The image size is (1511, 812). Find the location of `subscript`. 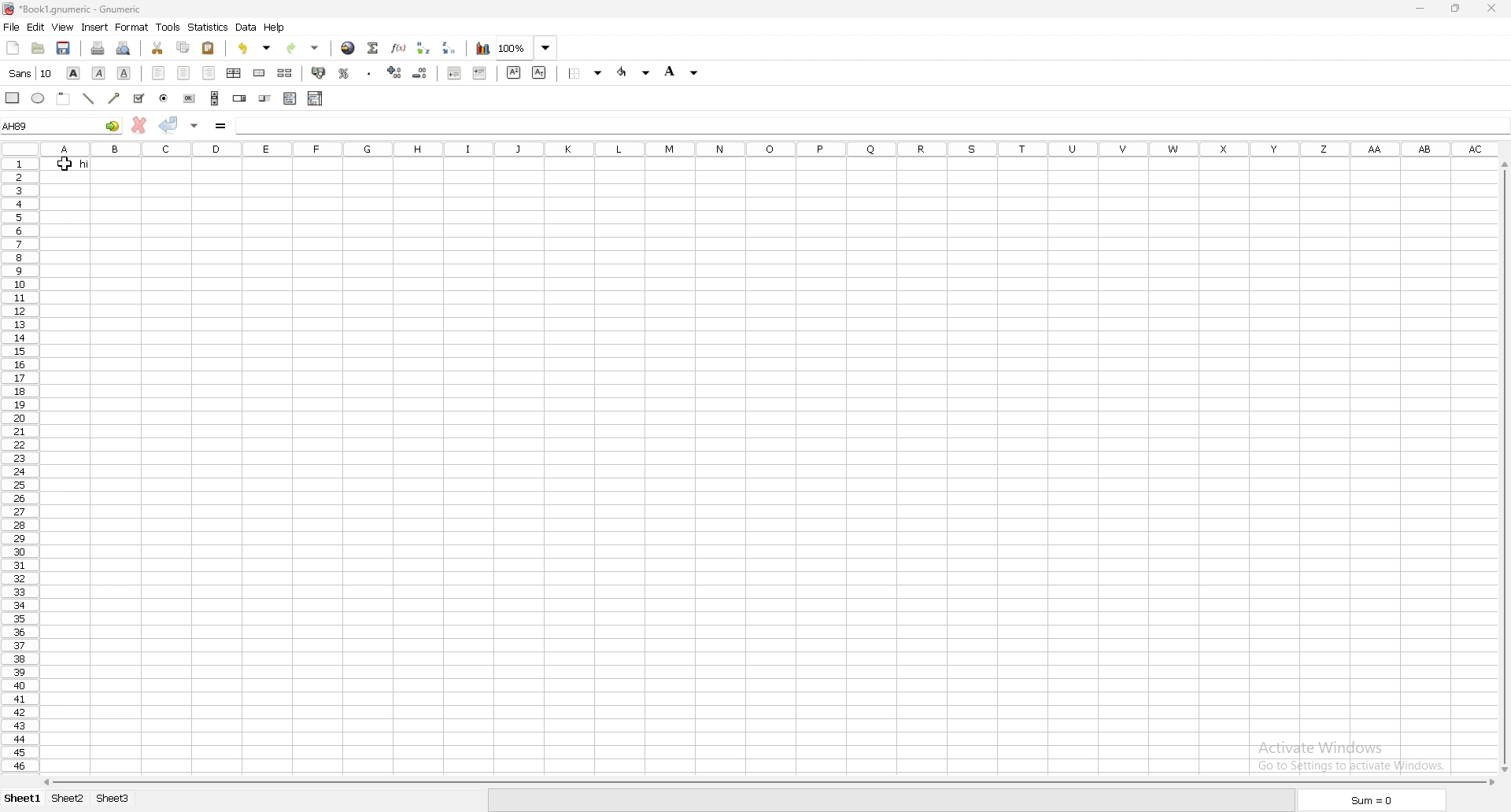

subscript is located at coordinates (540, 72).